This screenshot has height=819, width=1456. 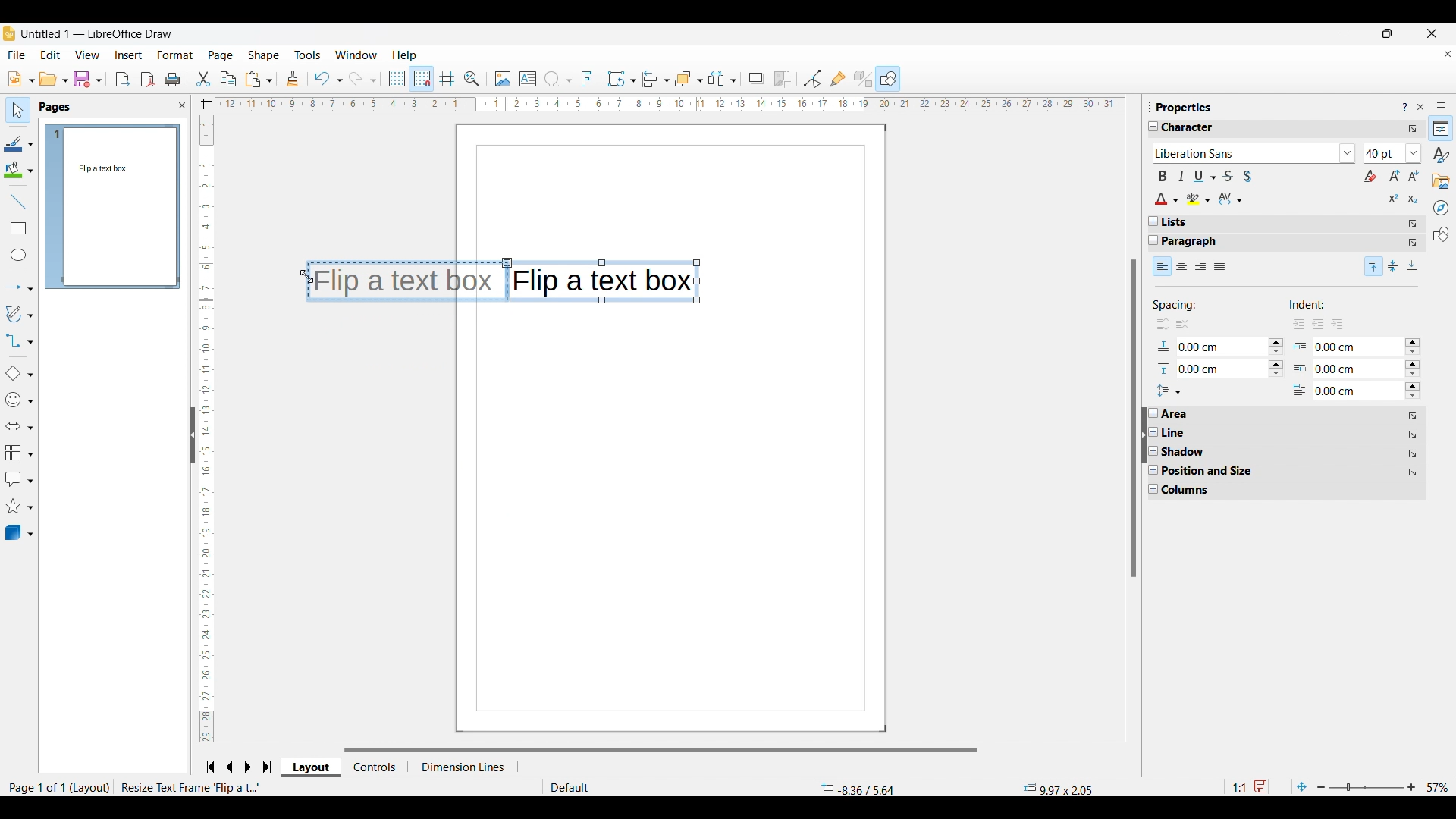 What do you see at coordinates (1228, 176) in the screenshot?
I see `Strike through ` at bounding box center [1228, 176].